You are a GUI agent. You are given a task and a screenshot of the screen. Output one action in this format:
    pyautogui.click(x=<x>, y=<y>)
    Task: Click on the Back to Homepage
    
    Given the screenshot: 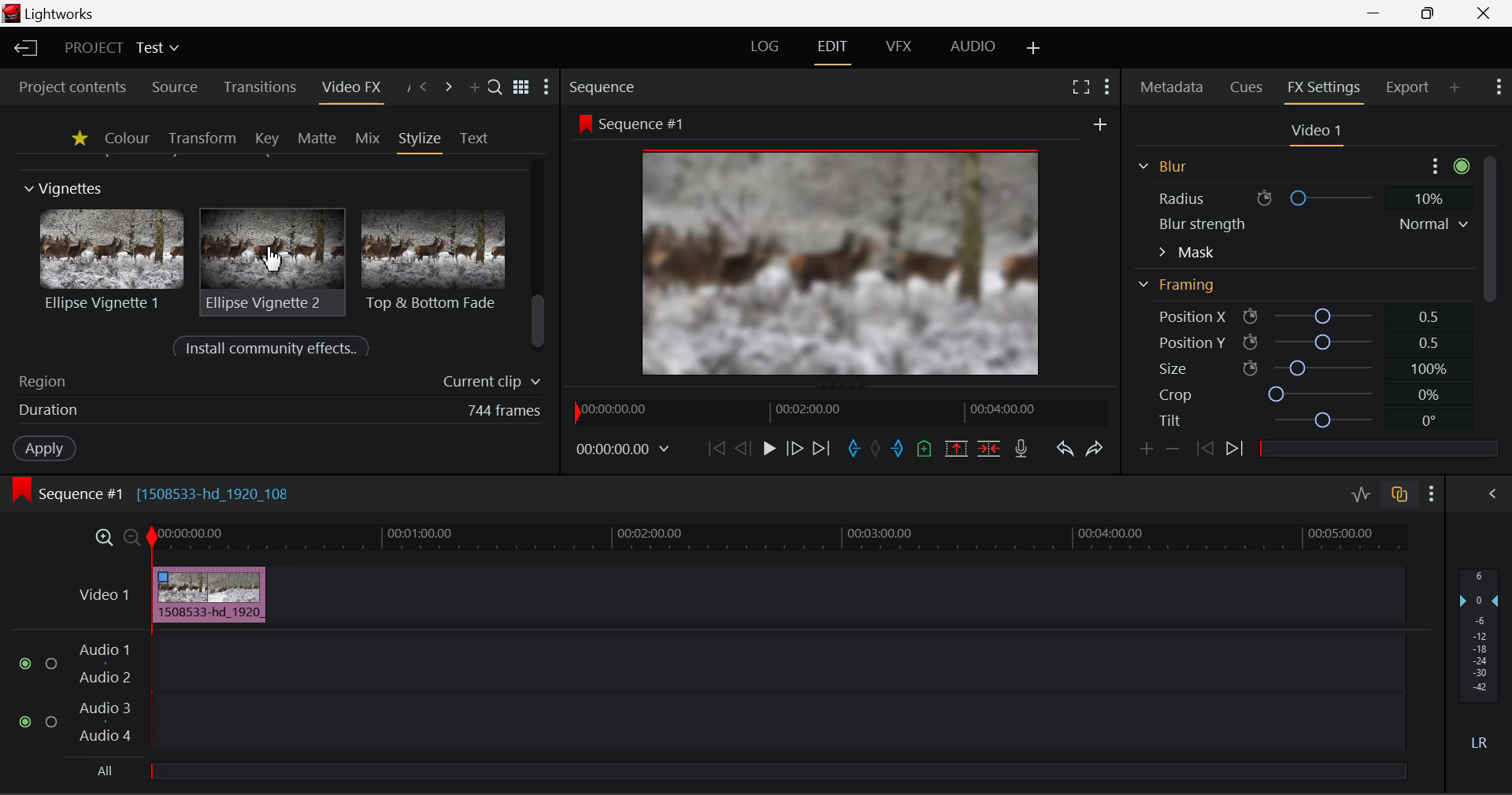 What is the action you would take?
    pyautogui.click(x=23, y=49)
    